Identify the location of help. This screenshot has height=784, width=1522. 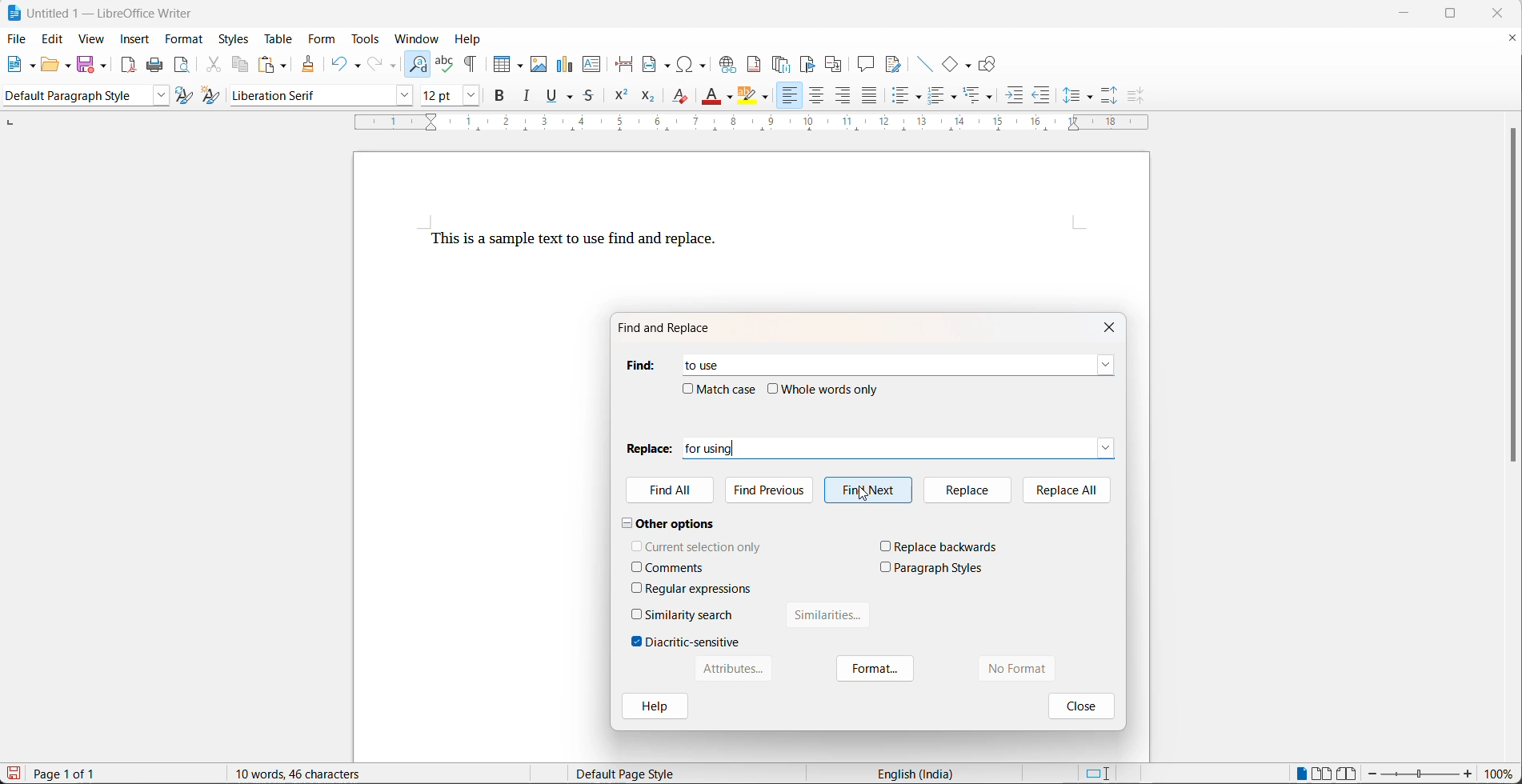
(654, 708).